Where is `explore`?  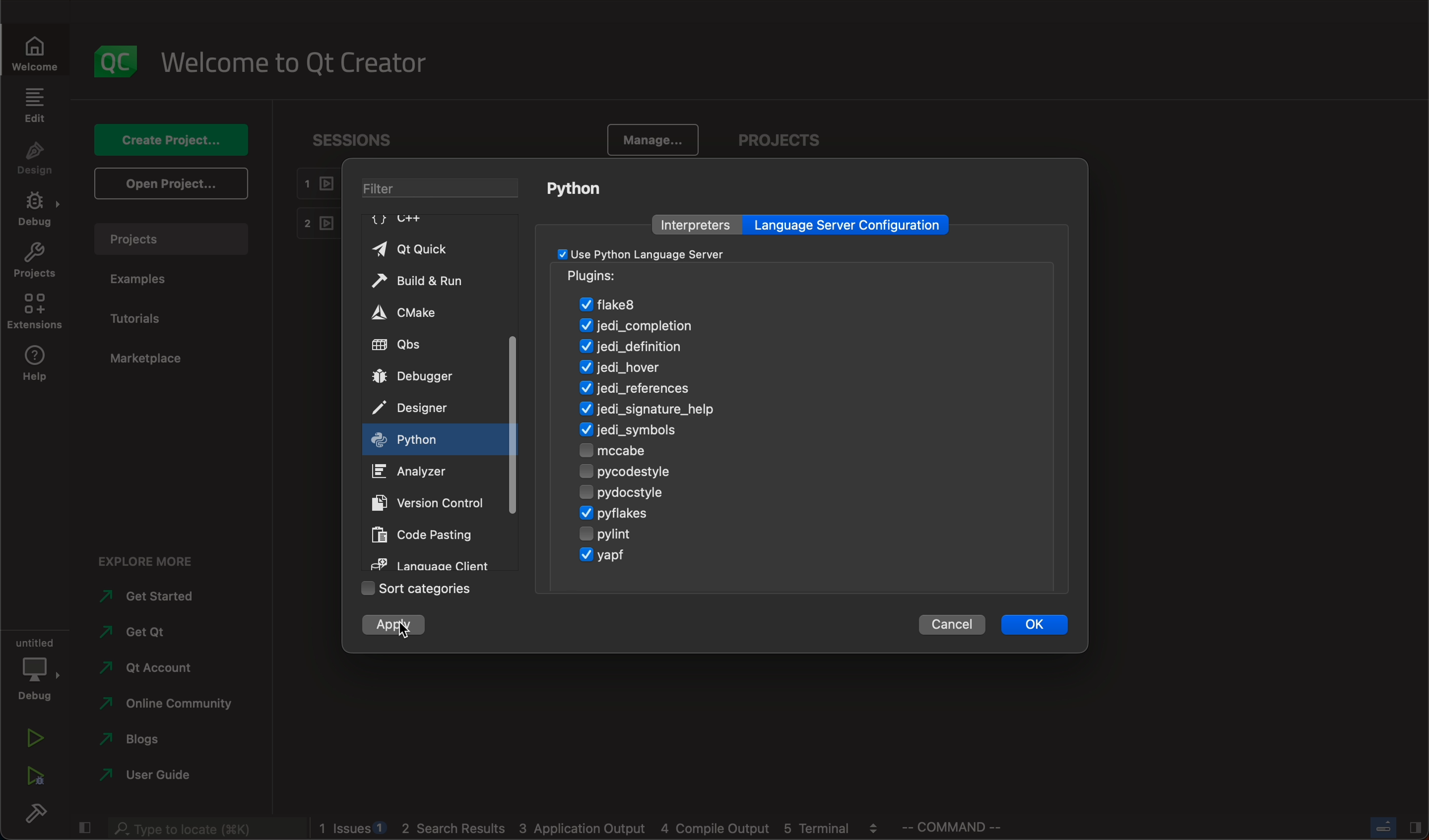 explore is located at coordinates (147, 563).